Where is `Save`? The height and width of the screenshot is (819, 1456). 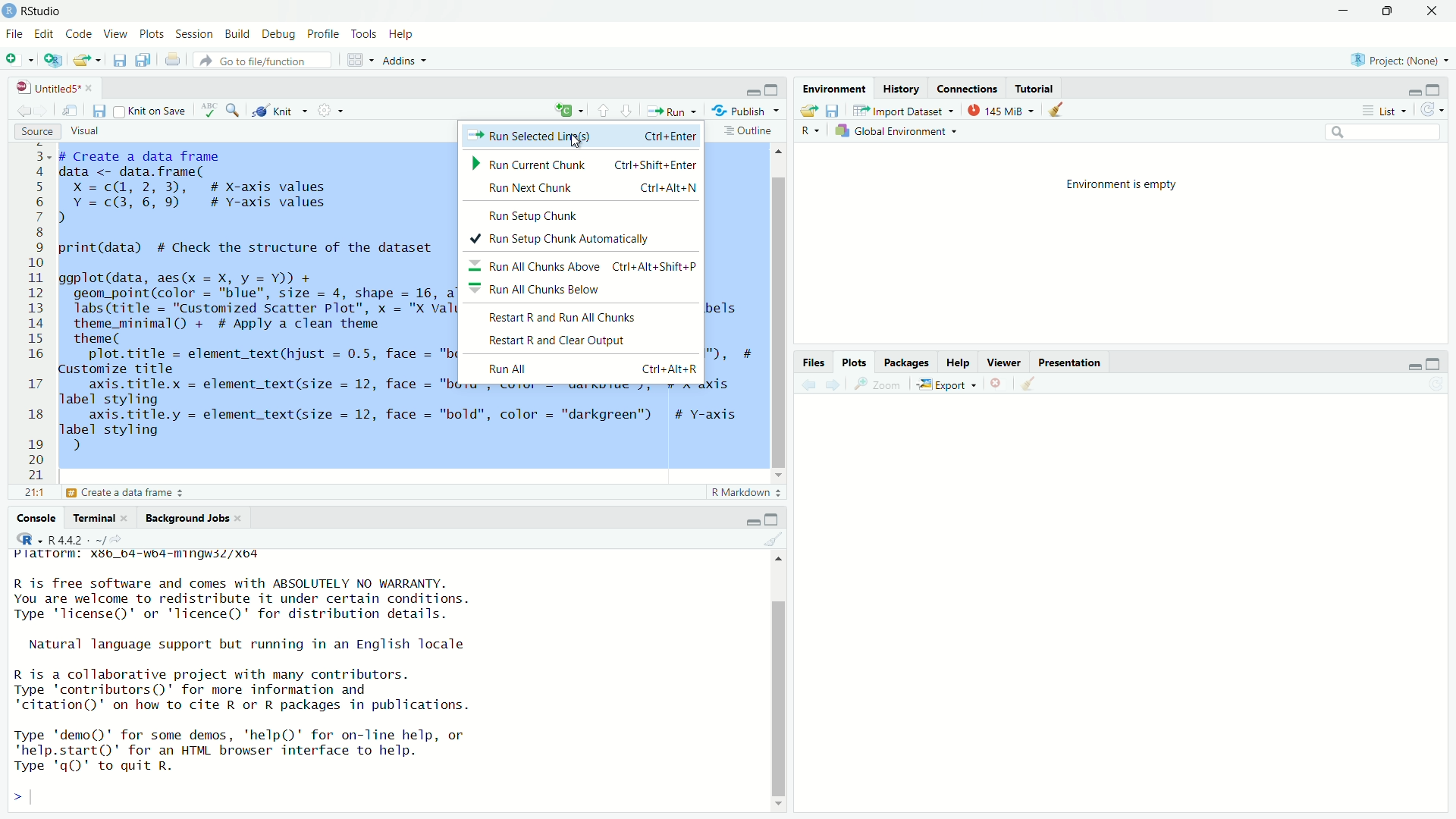
Save is located at coordinates (99, 111).